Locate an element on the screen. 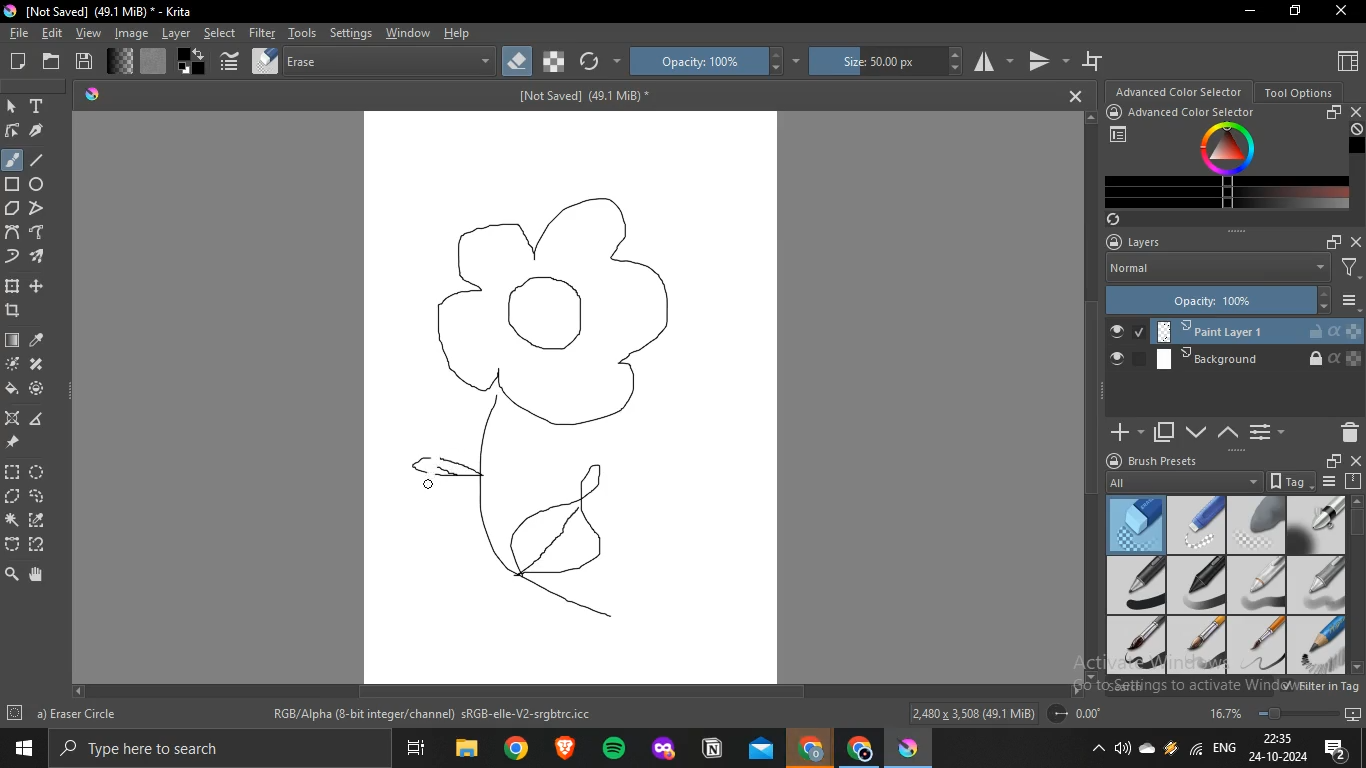 This screenshot has width=1366, height=768. Filters is located at coordinates (1351, 269).